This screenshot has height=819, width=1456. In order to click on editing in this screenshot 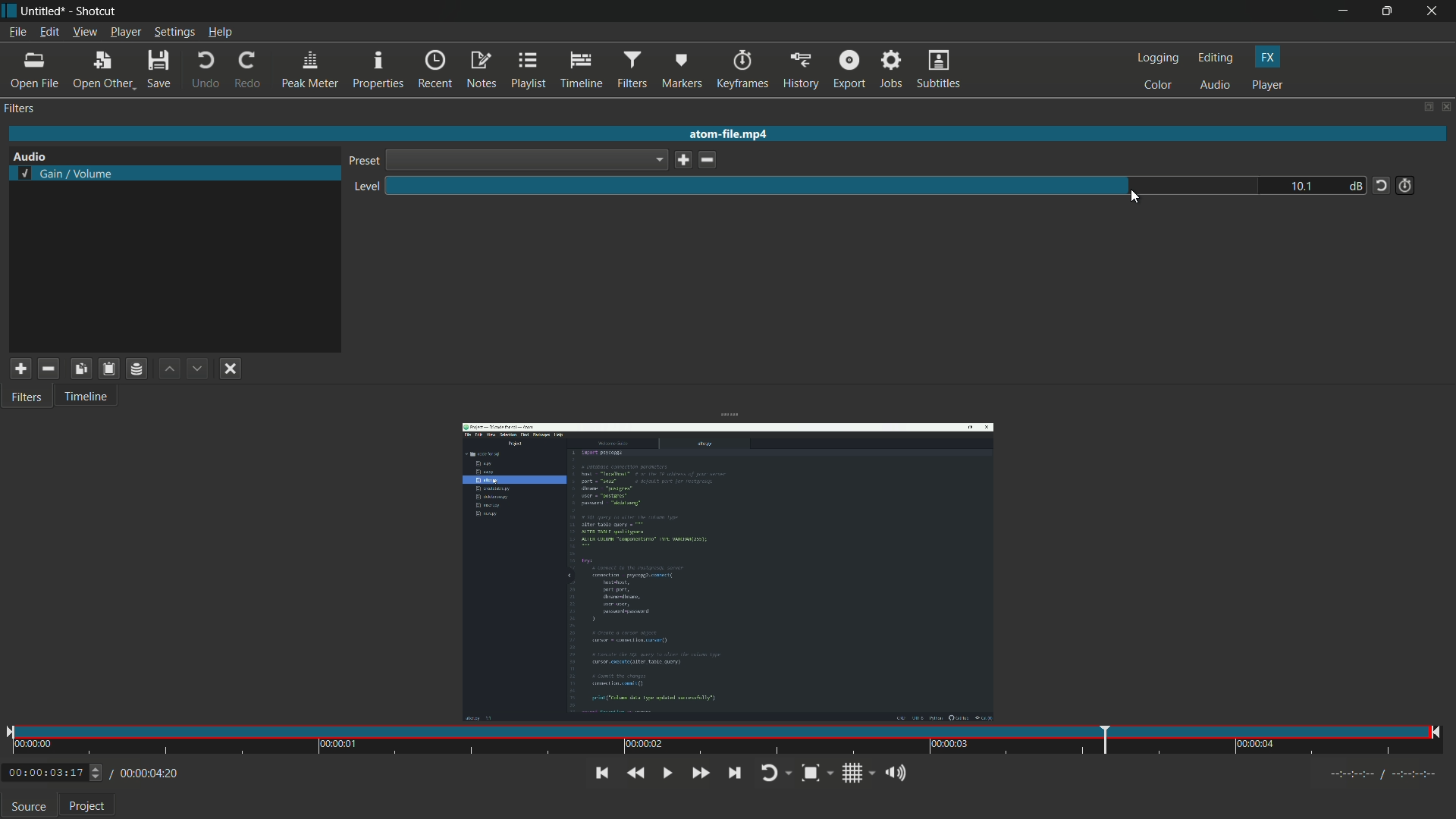, I will do `click(1216, 58)`.